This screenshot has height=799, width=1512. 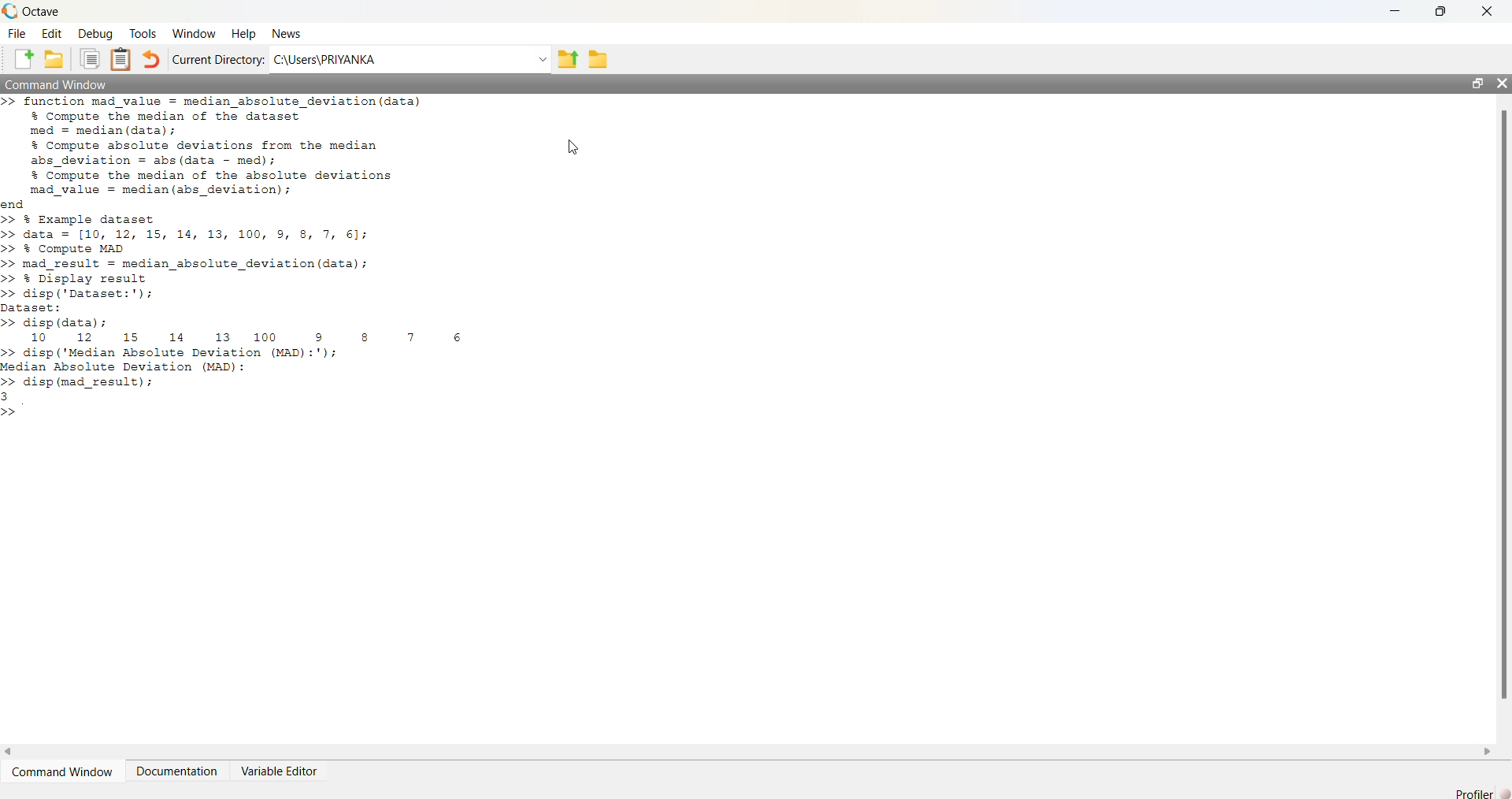 I want to click on Documentation, so click(x=174, y=771).